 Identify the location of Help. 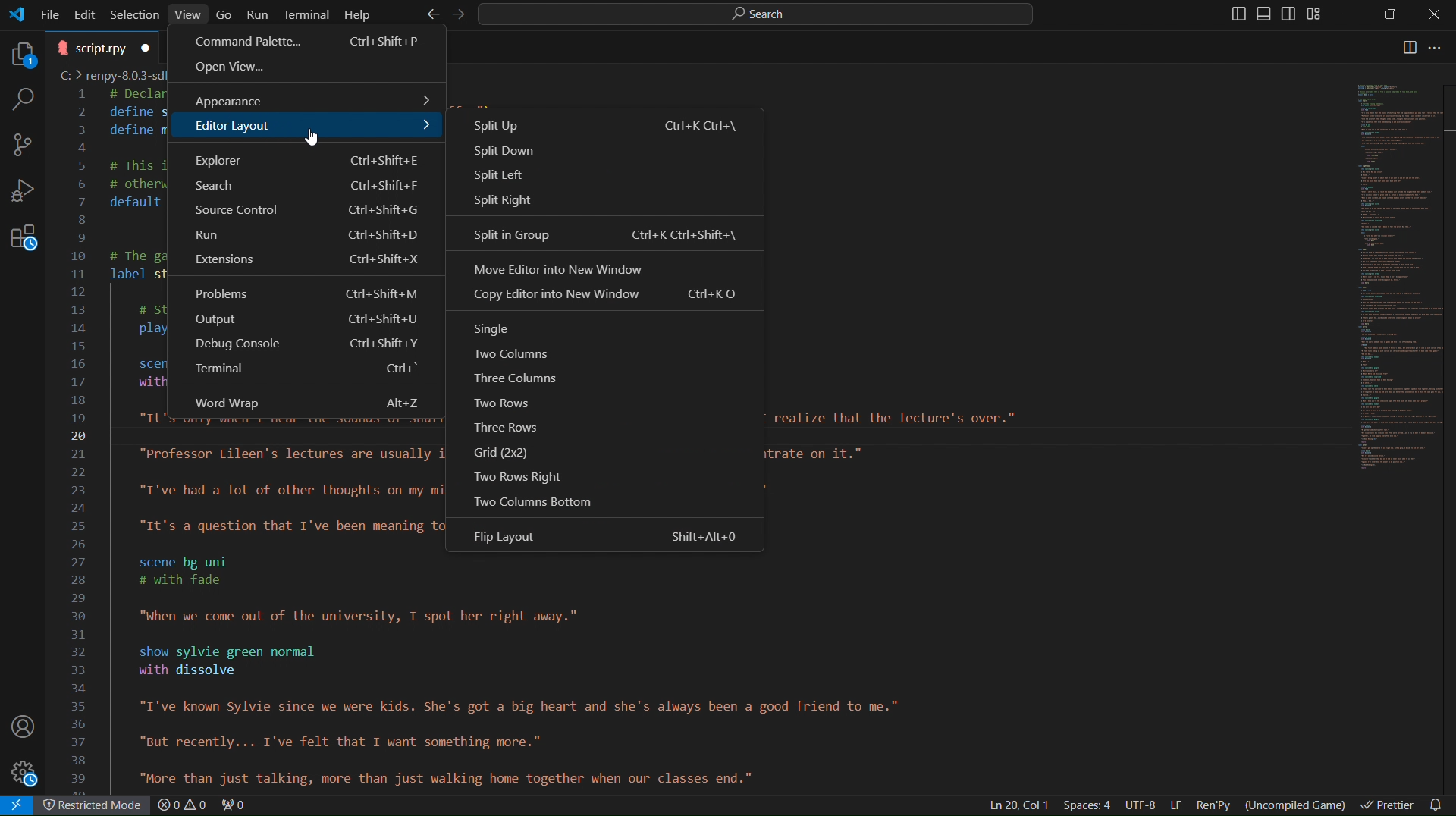
(357, 14).